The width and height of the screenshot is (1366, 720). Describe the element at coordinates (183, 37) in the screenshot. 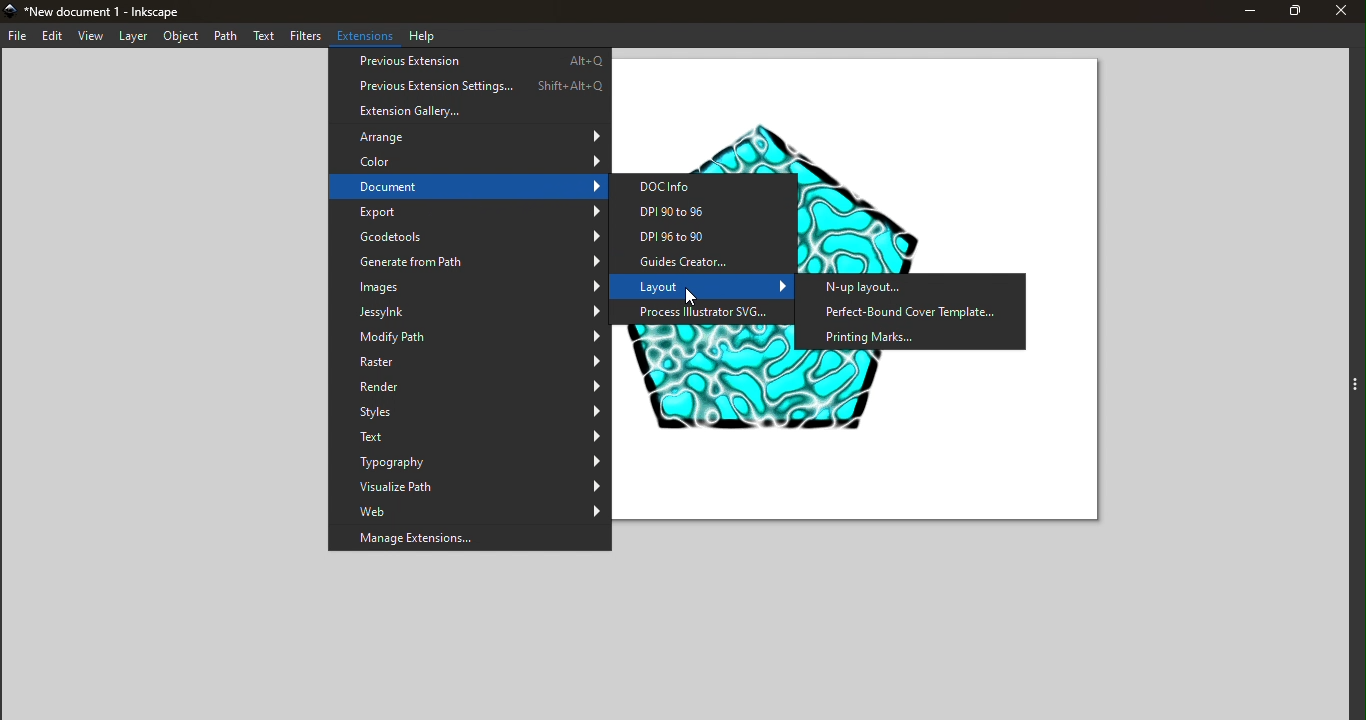

I see `Object` at that location.